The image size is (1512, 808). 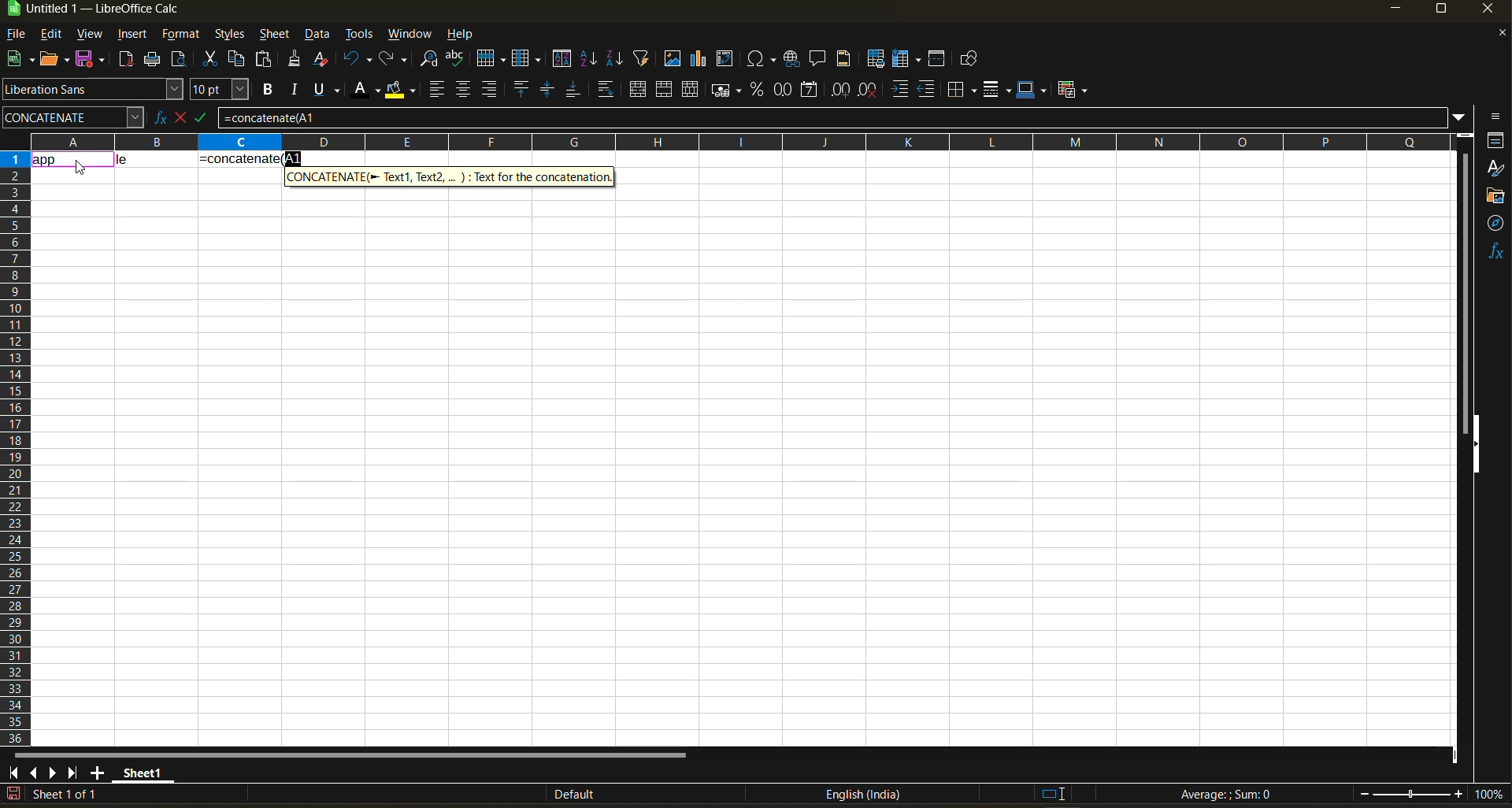 What do you see at coordinates (431, 61) in the screenshot?
I see `find and replace` at bounding box center [431, 61].